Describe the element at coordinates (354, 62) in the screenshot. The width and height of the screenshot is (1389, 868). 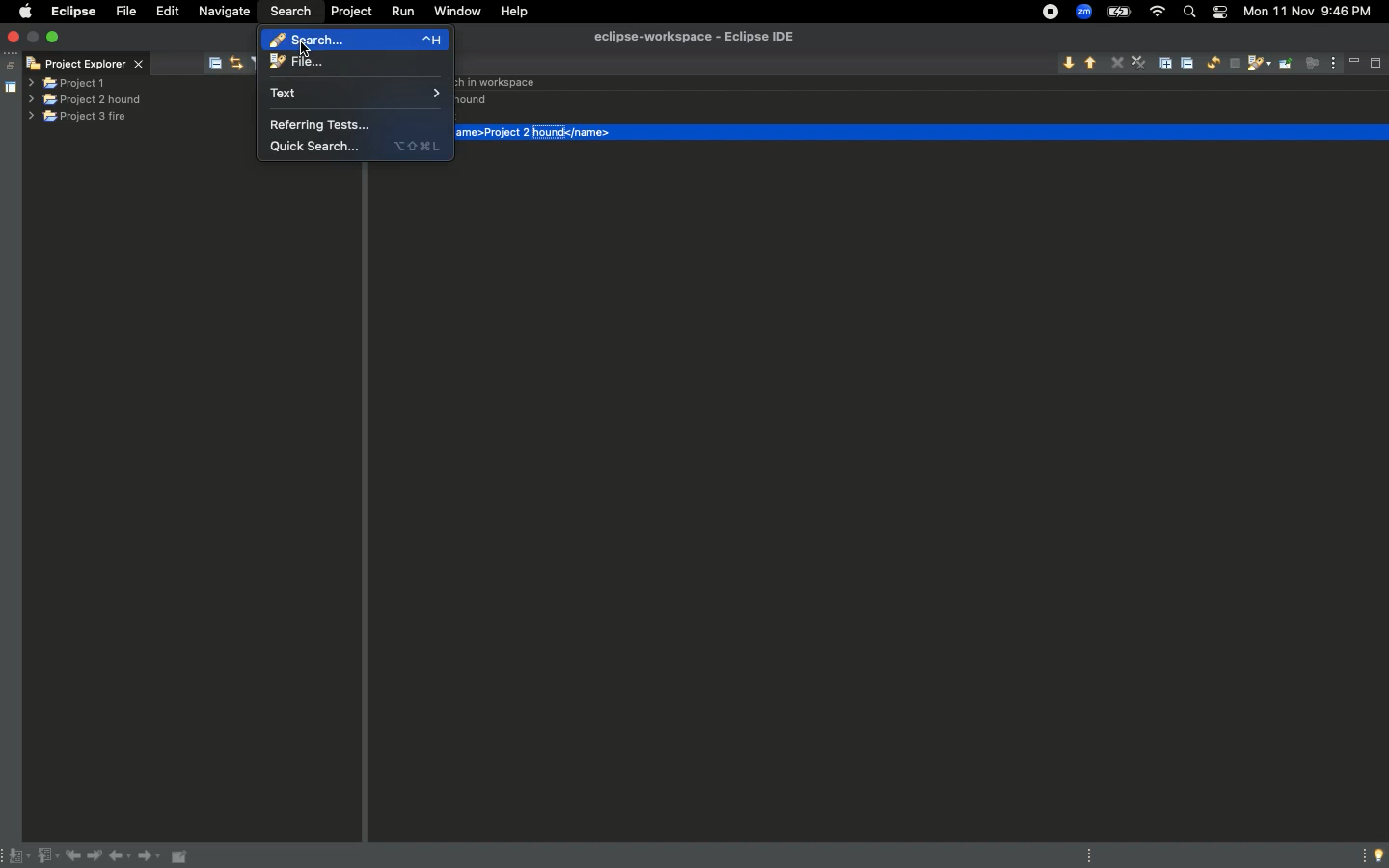
I see ` File...` at that location.